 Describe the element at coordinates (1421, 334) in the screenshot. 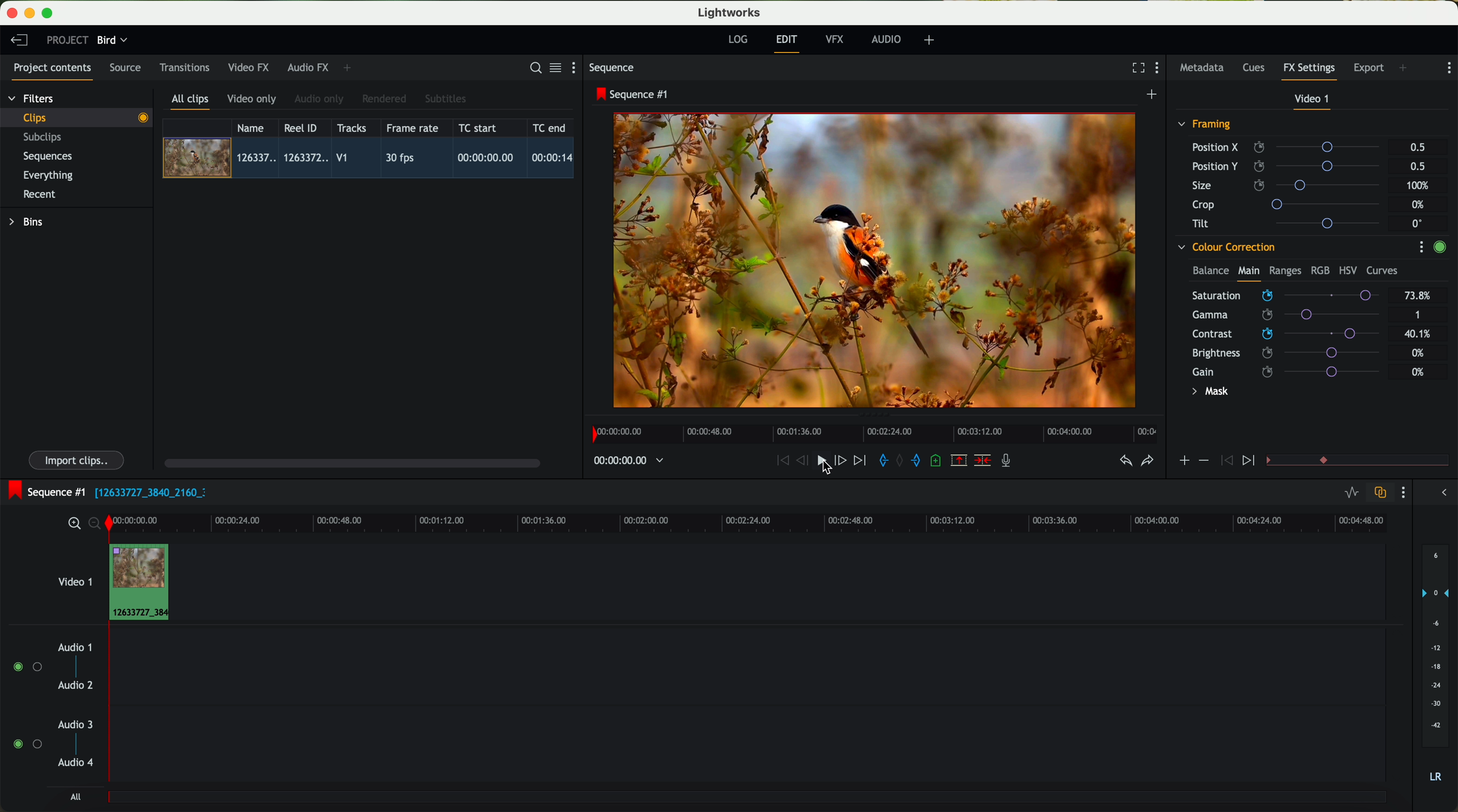

I see `40.1%` at that location.